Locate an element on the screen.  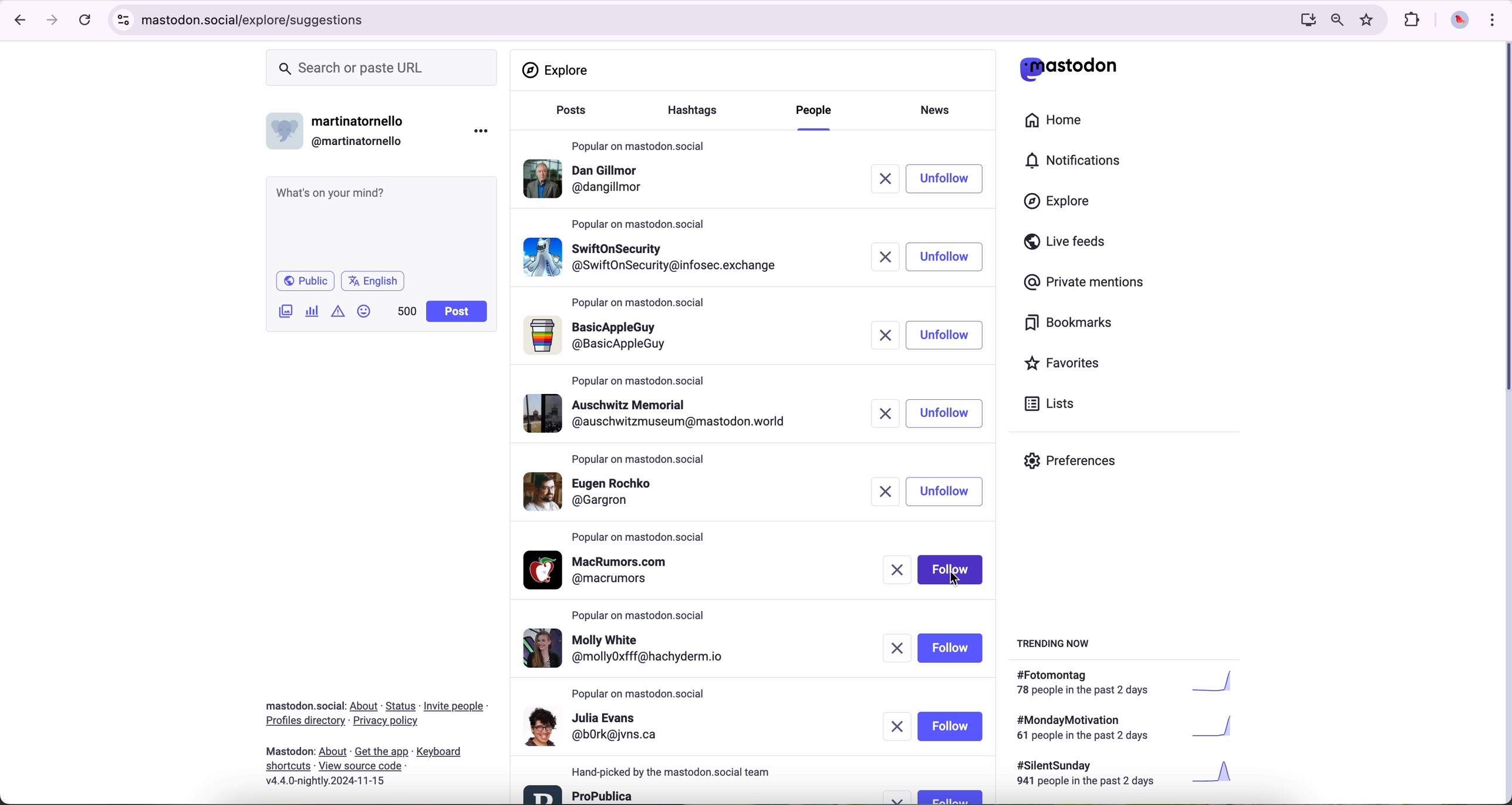
private mentions is located at coordinates (1085, 283).